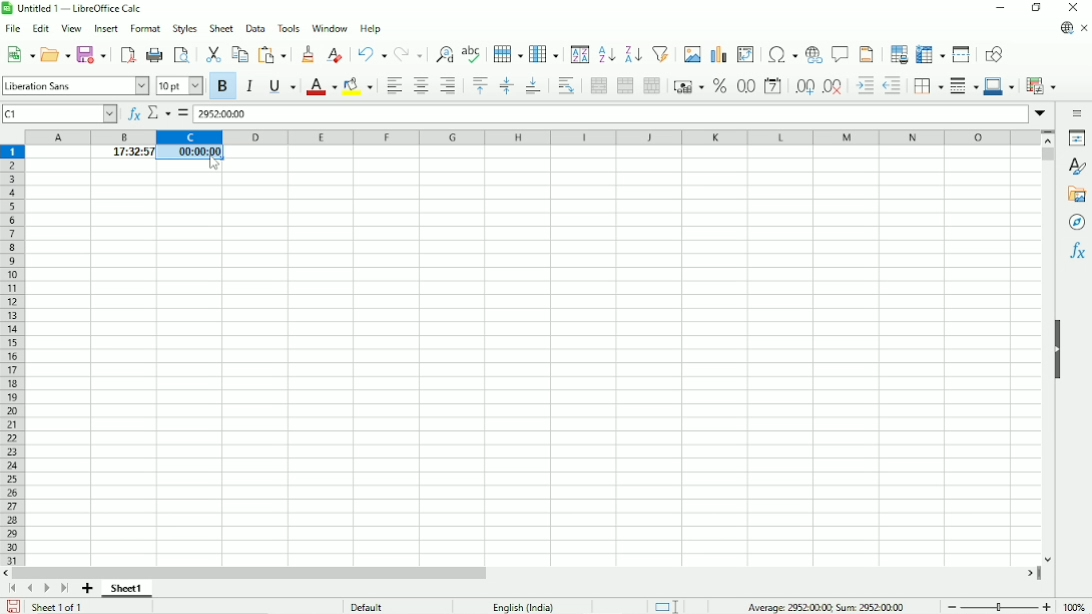  What do you see at coordinates (1075, 605) in the screenshot?
I see `Zoom factor` at bounding box center [1075, 605].